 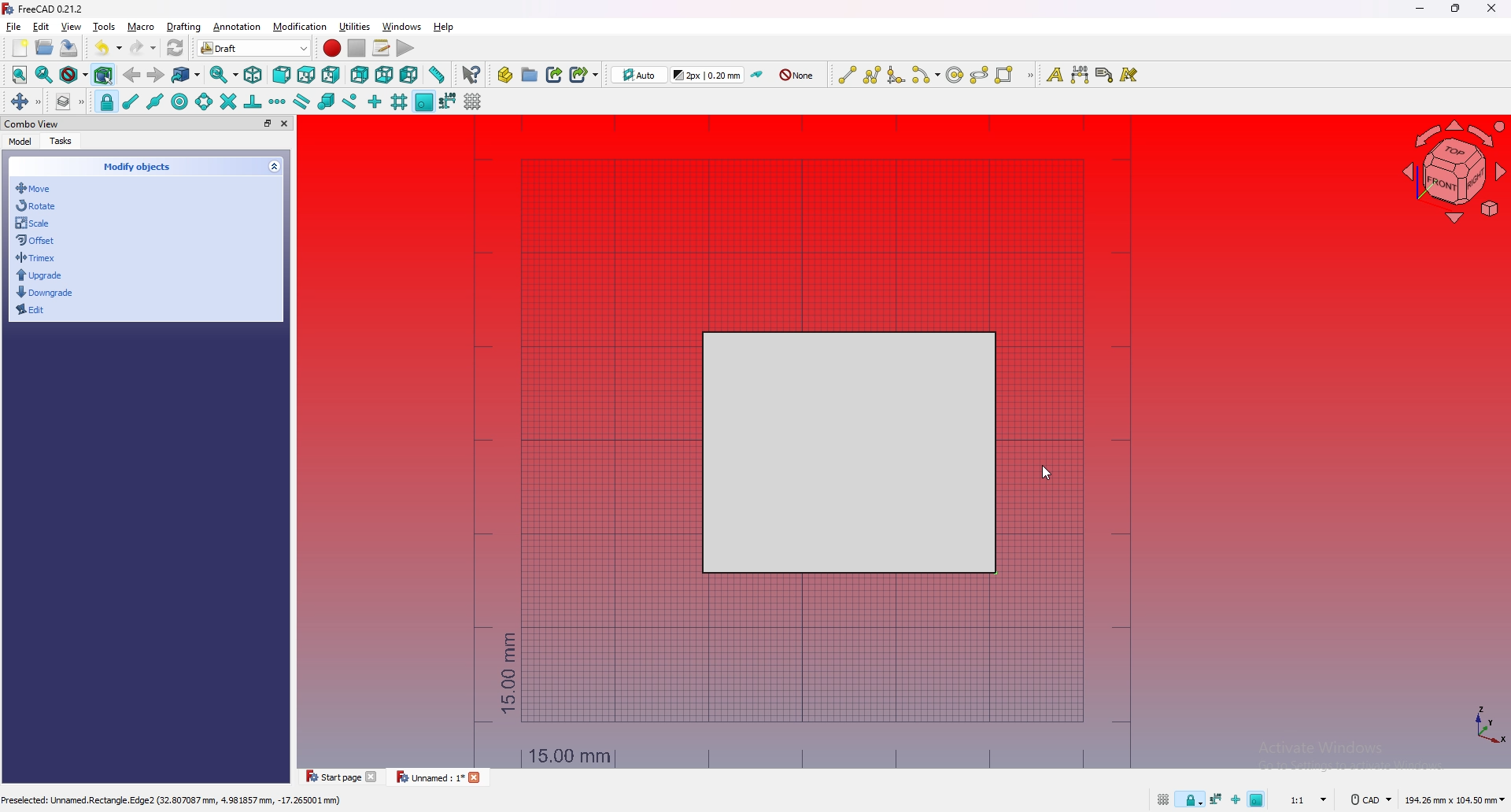 What do you see at coordinates (19, 142) in the screenshot?
I see `model` at bounding box center [19, 142].